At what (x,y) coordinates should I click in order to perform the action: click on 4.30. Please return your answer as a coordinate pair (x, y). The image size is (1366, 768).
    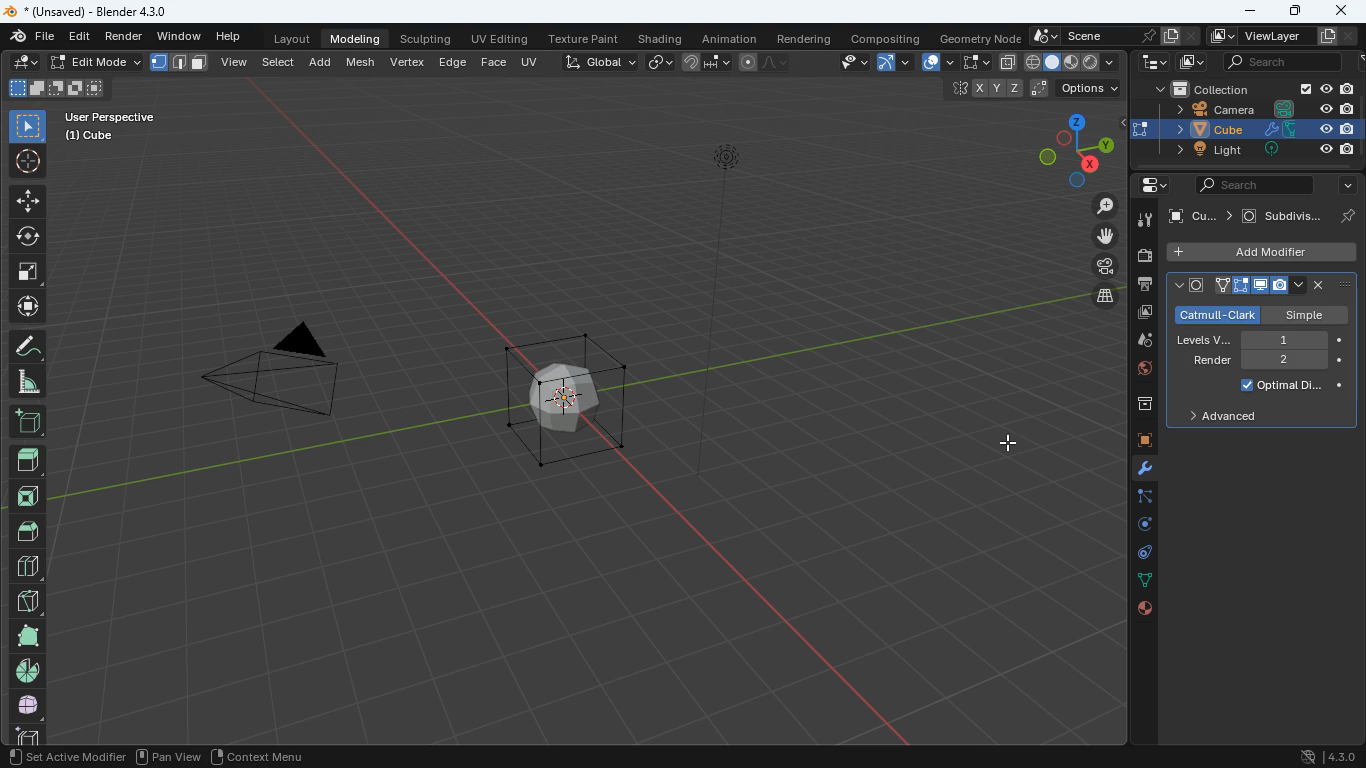
    Looking at the image, I should click on (1324, 755).